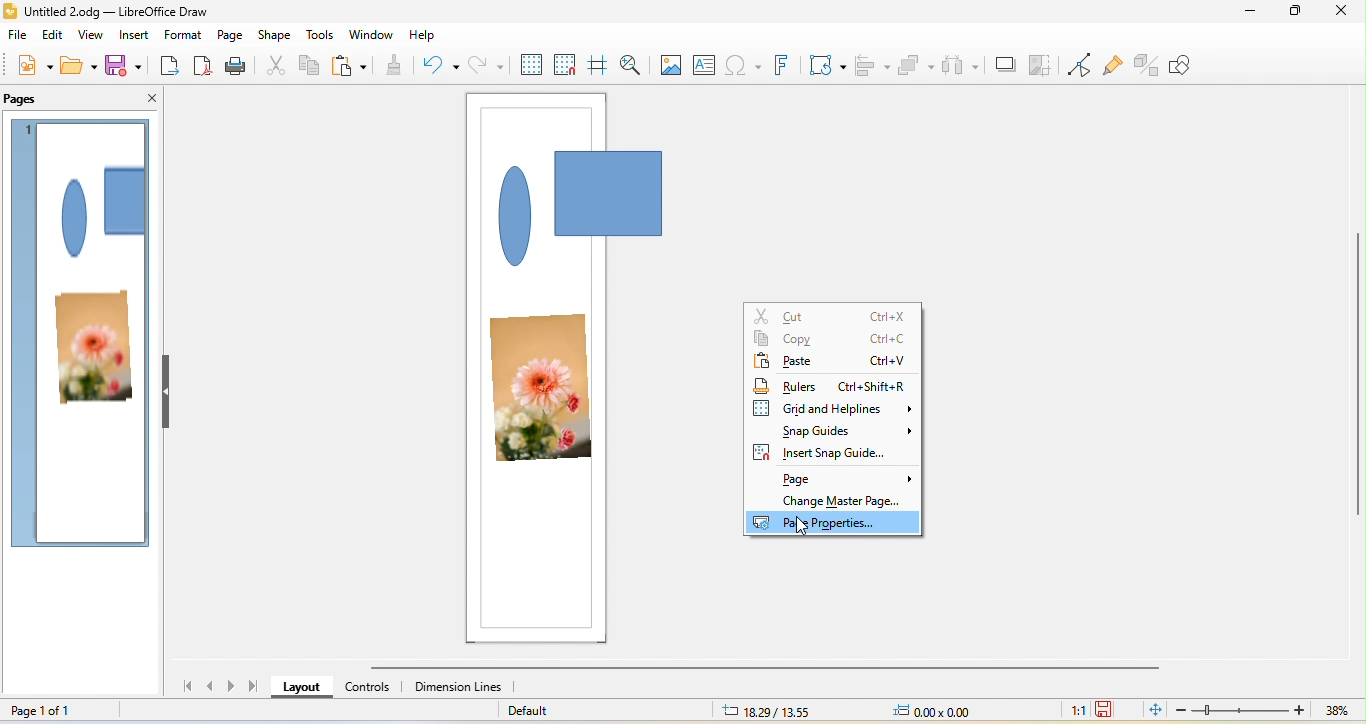 This screenshot has width=1366, height=724. I want to click on previous page, so click(214, 689).